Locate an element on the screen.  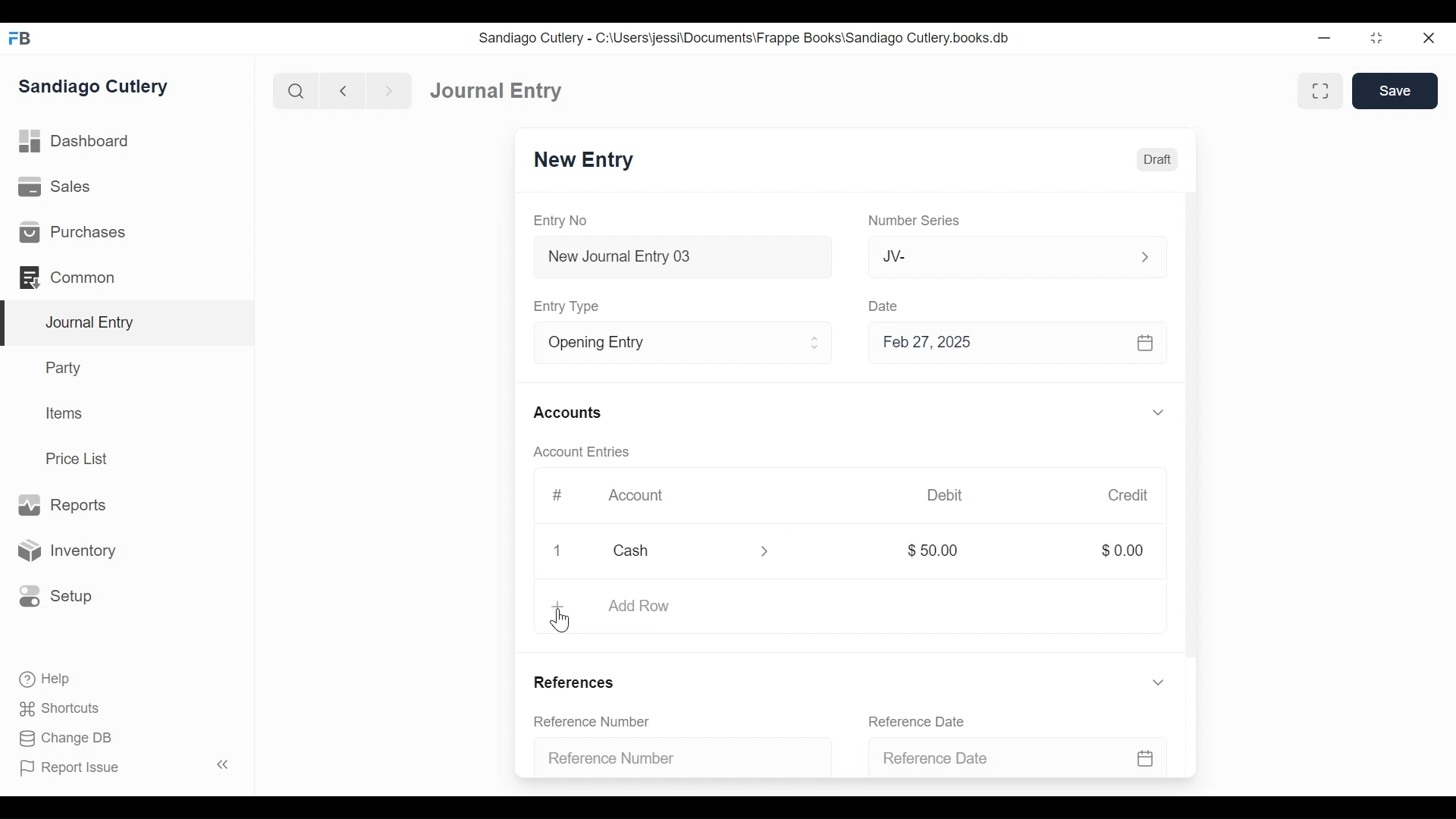
Expand is located at coordinates (1160, 412).